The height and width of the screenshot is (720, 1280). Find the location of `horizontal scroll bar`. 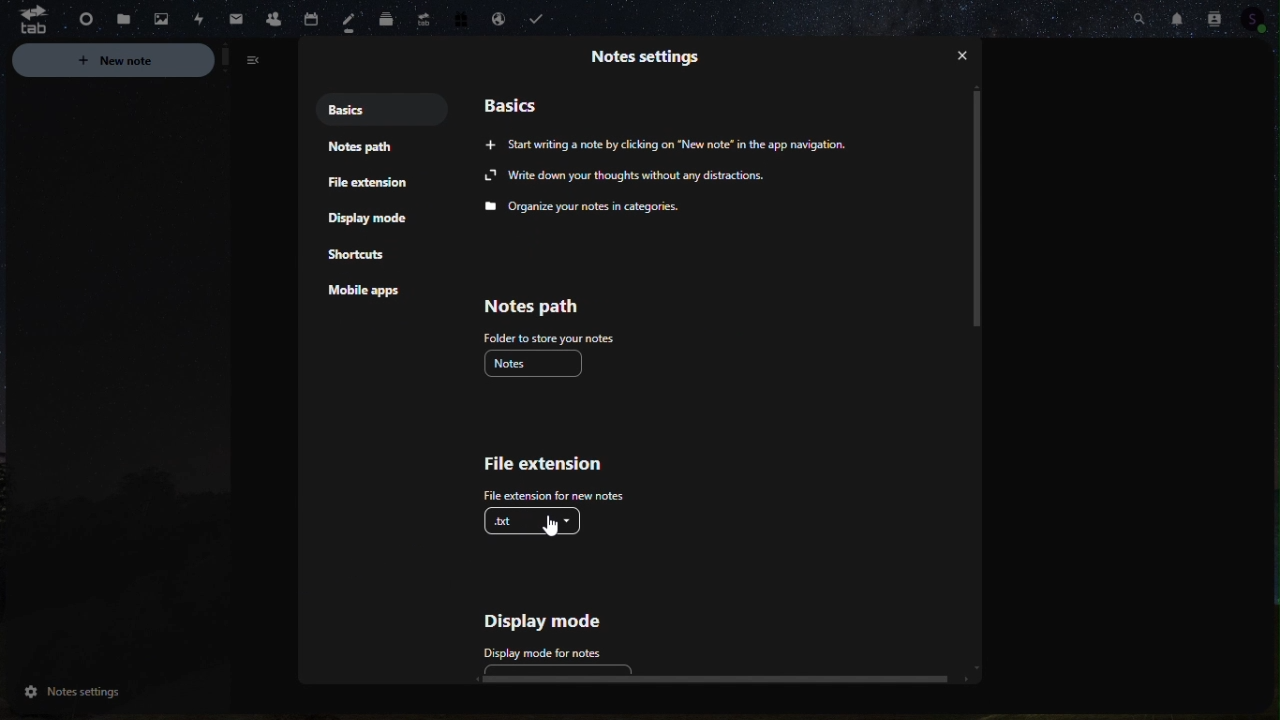

horizontal scroll bar is located at coordinates (705, 679).